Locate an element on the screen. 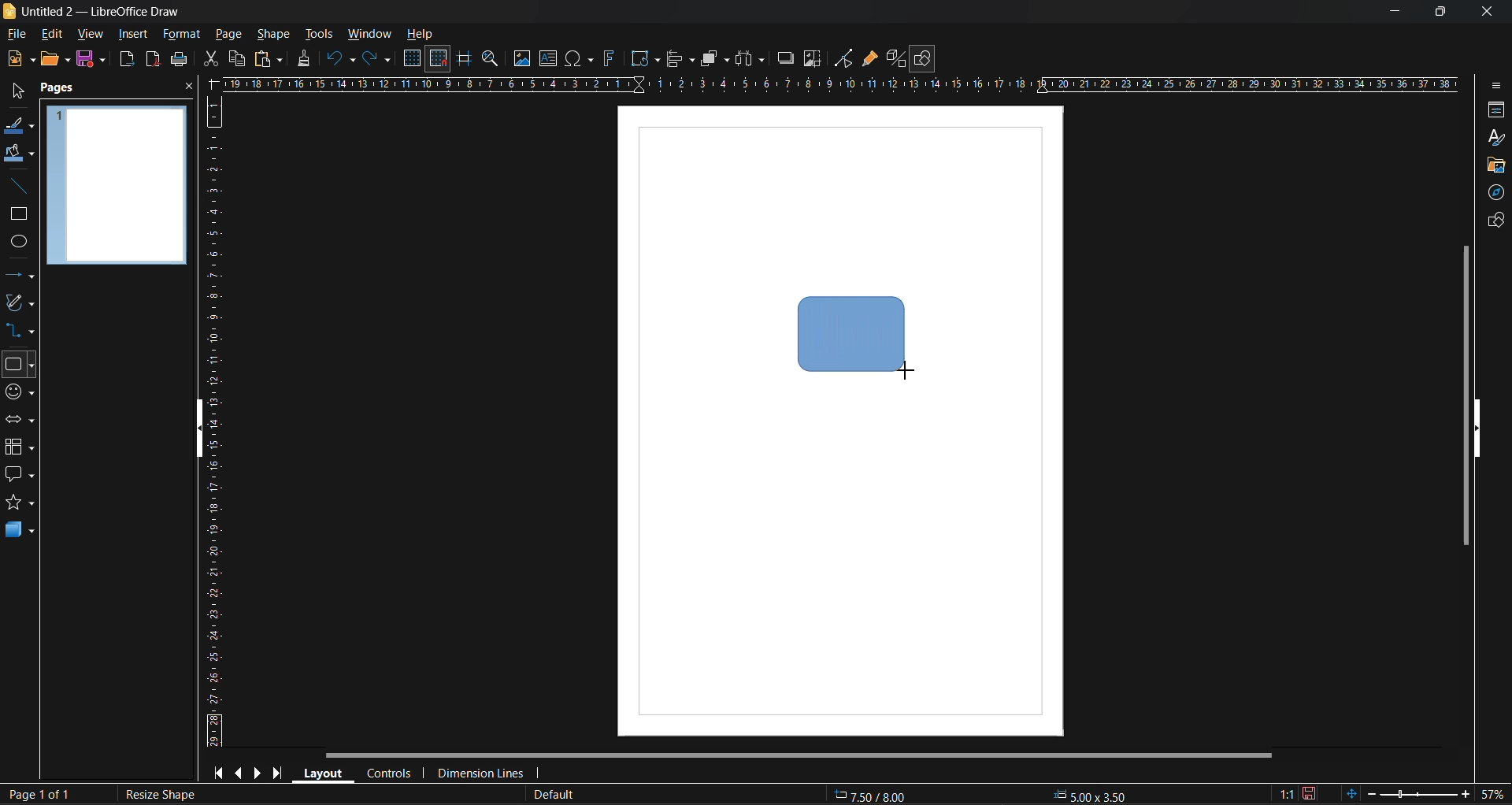  stars and banners is located at coordinates (18, 502).